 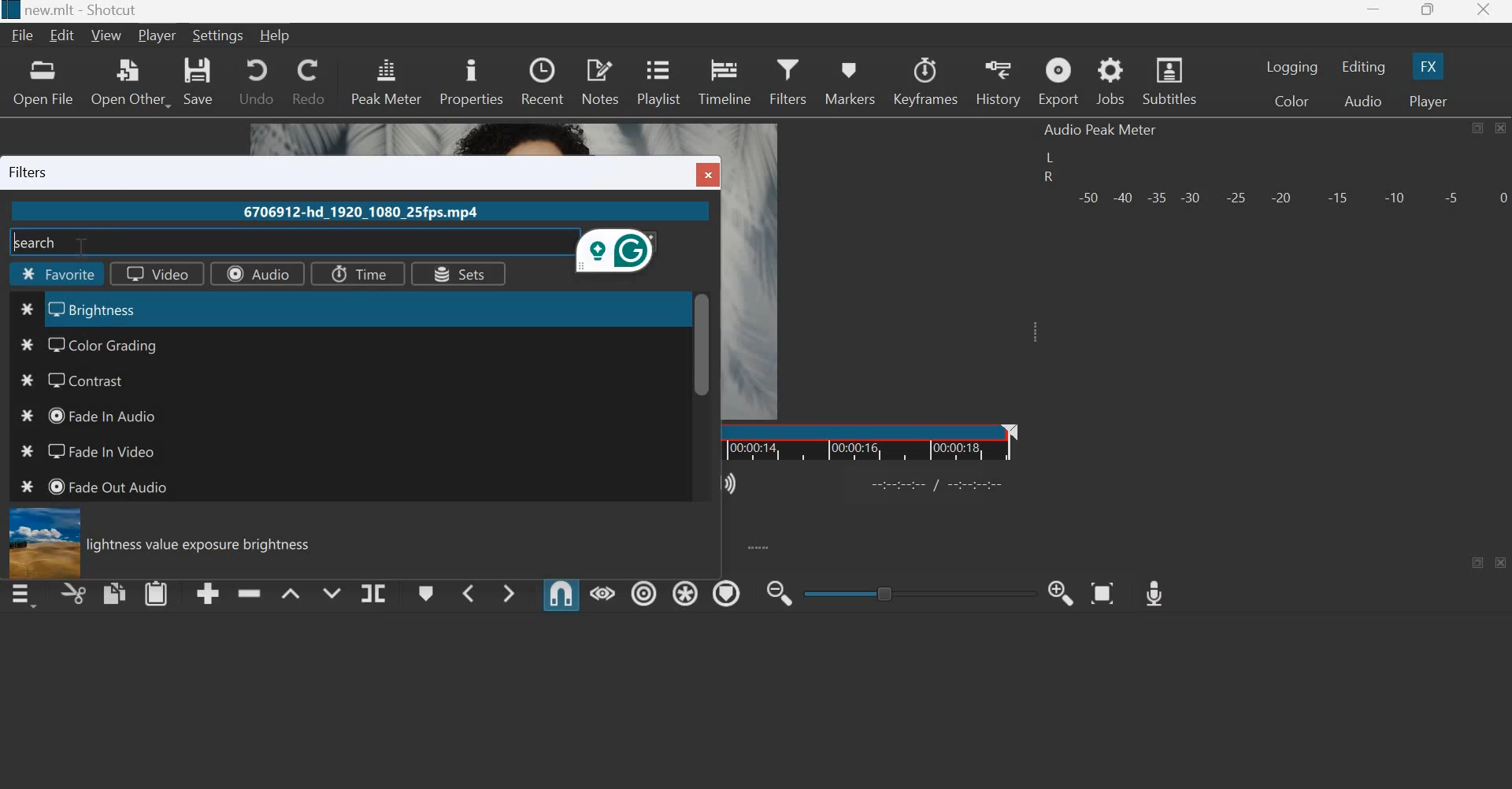 What do you see at coordinates (256, 80) in the screenshot?
I see `undo` at bounding box center [256, 80].